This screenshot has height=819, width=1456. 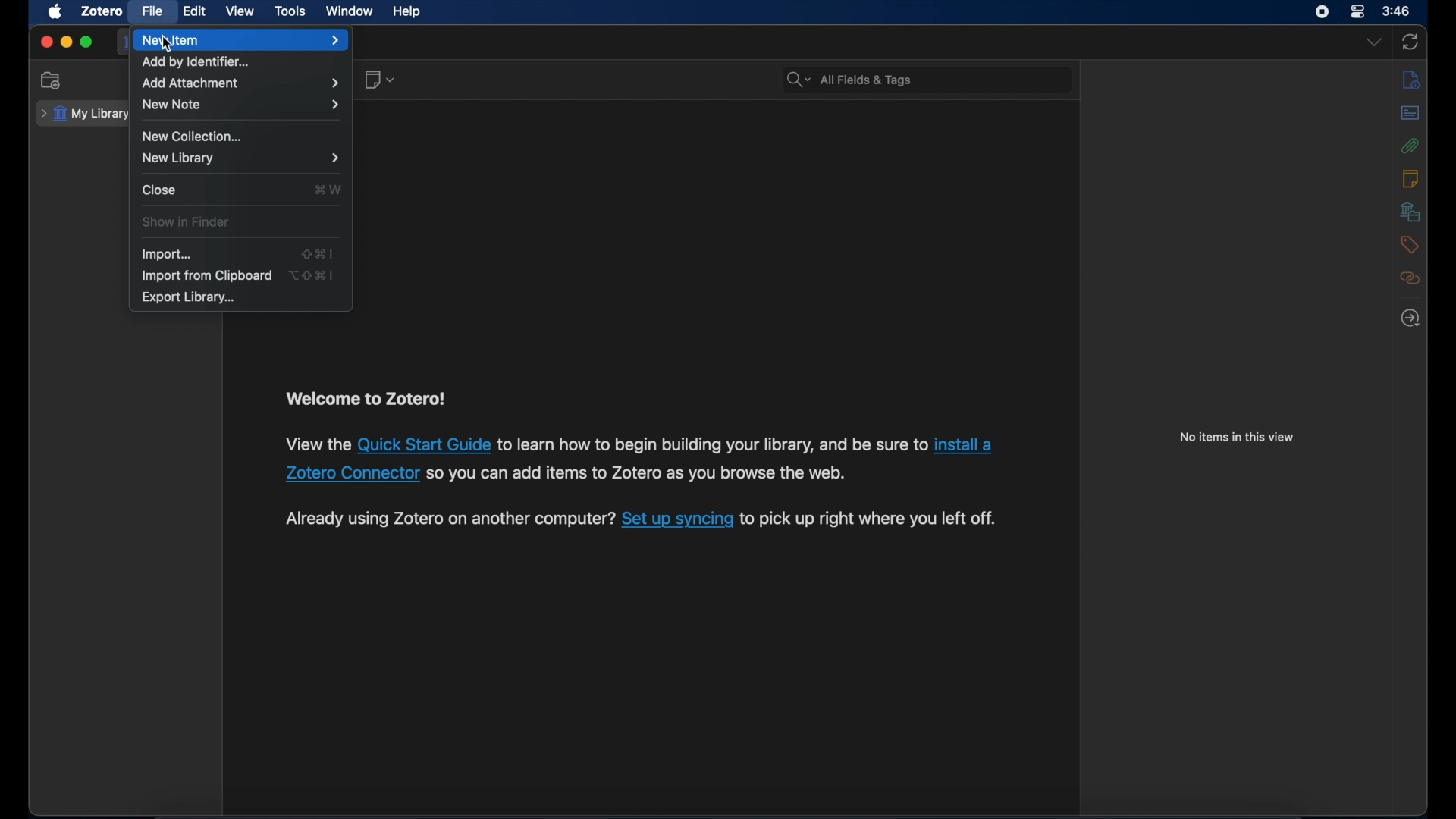 What do you see at coordinates (1410, 212) in the screenshot?
I see `libraries` at bounding box center [1410, 212].